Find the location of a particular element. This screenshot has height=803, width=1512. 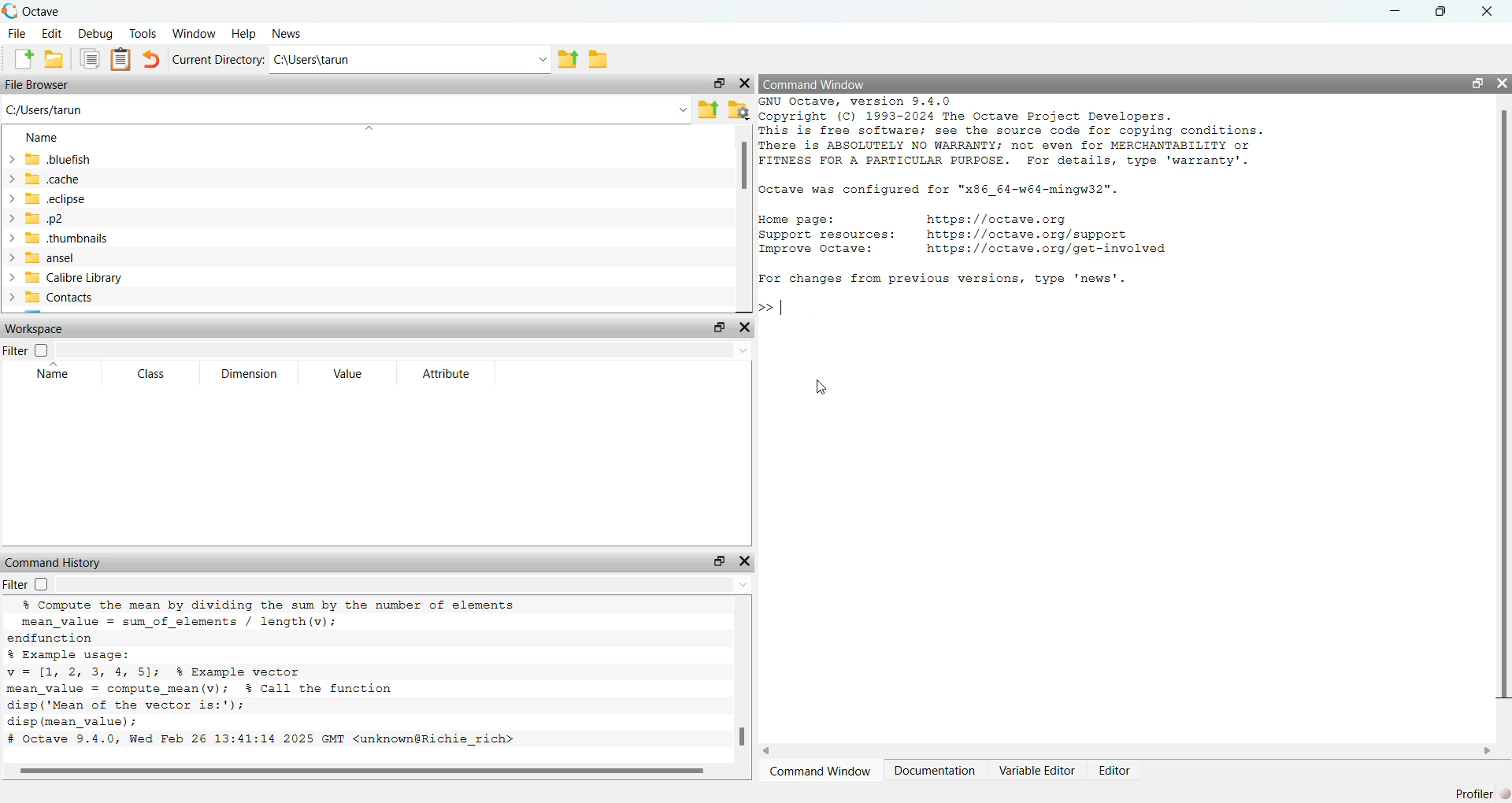

close is located at coordinates (1487, 11).